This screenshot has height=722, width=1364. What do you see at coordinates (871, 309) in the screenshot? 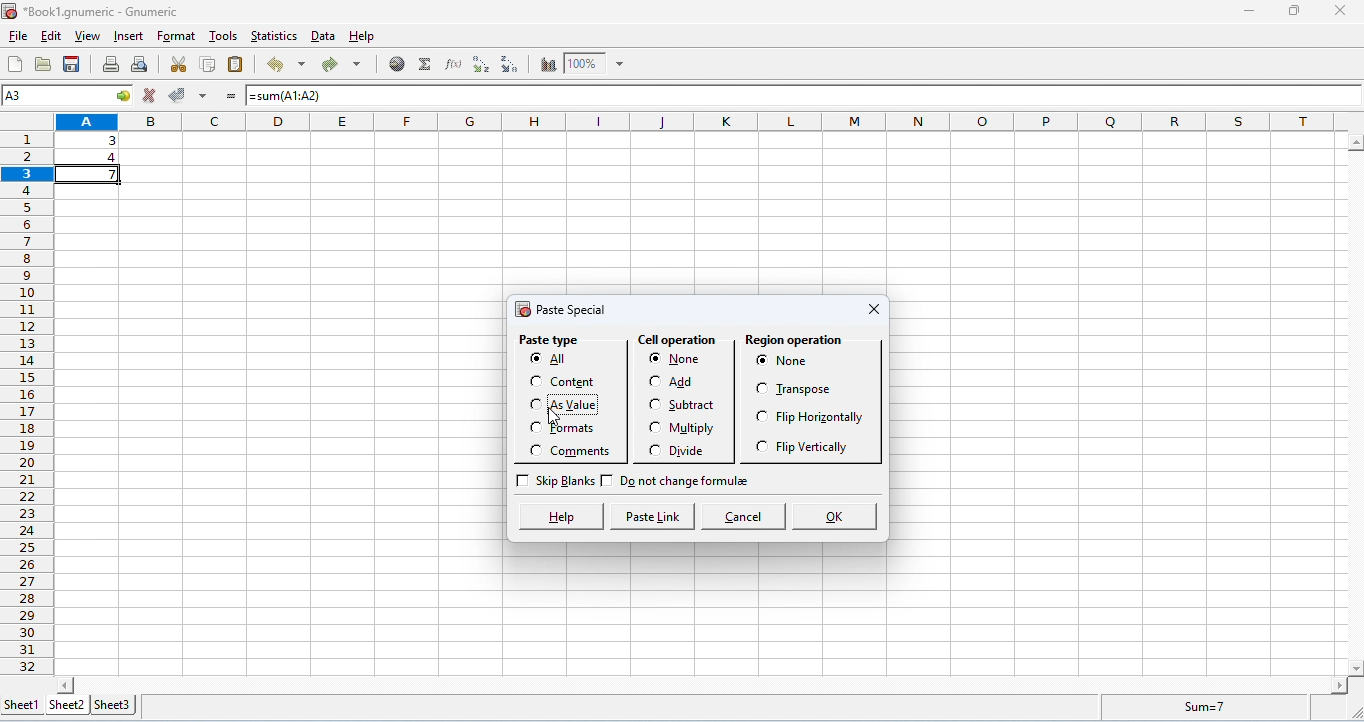
I see `close` at bounding box center [871, 309].